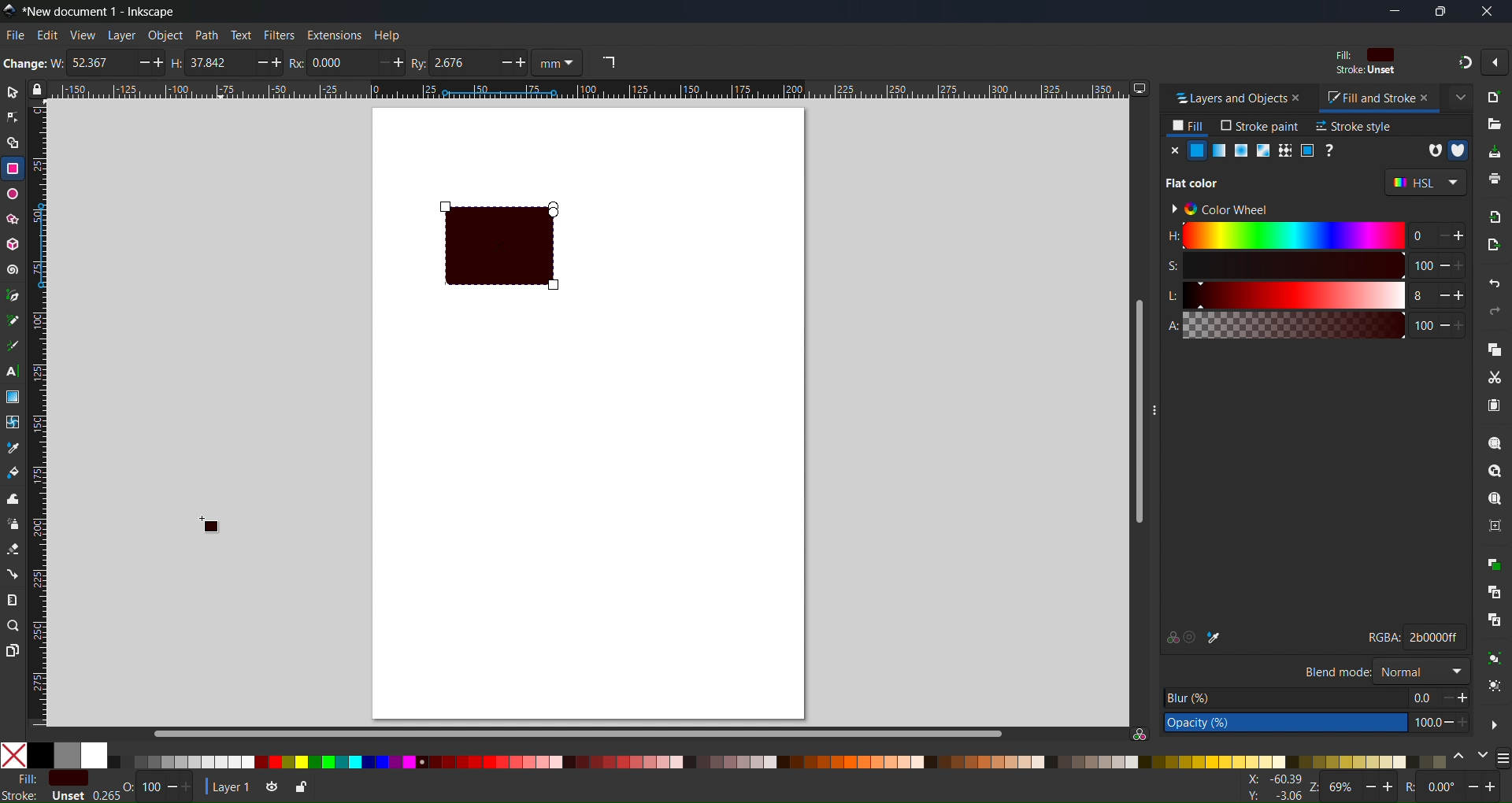  I want to click on Rx:, so click(300, 63).